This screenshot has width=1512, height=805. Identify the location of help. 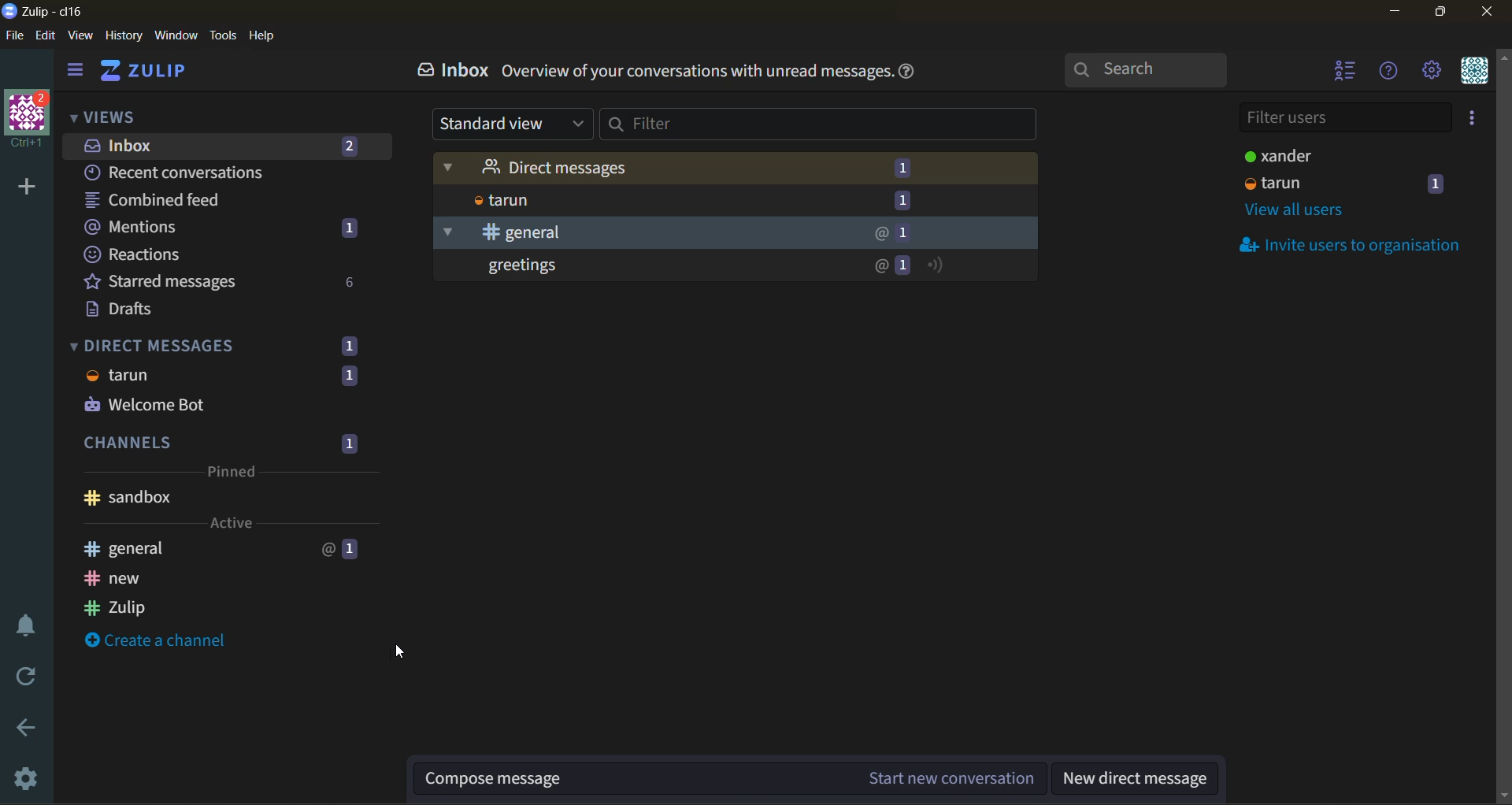
(263, 36).